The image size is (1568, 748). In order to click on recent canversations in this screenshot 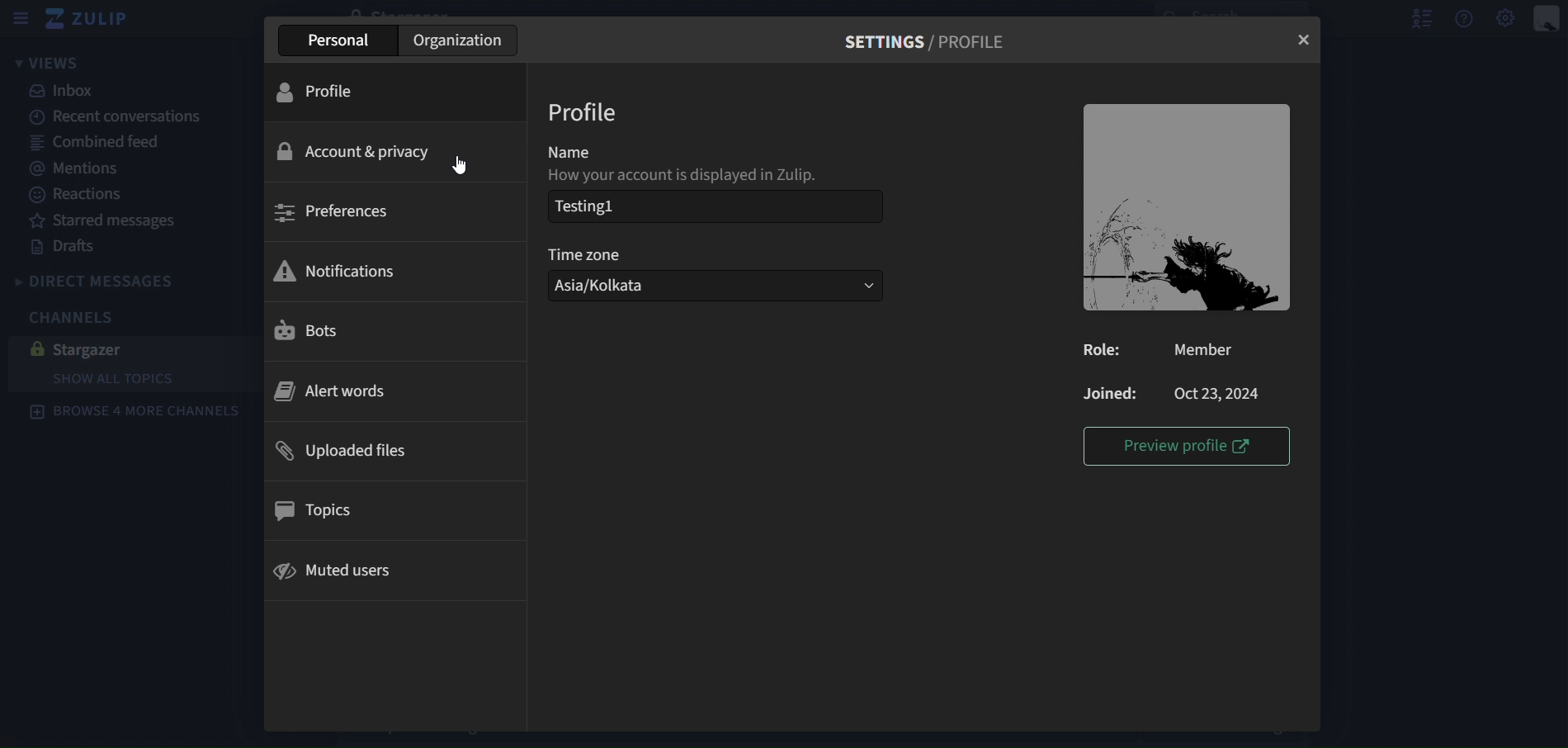, I will do `click(116, 116)`.